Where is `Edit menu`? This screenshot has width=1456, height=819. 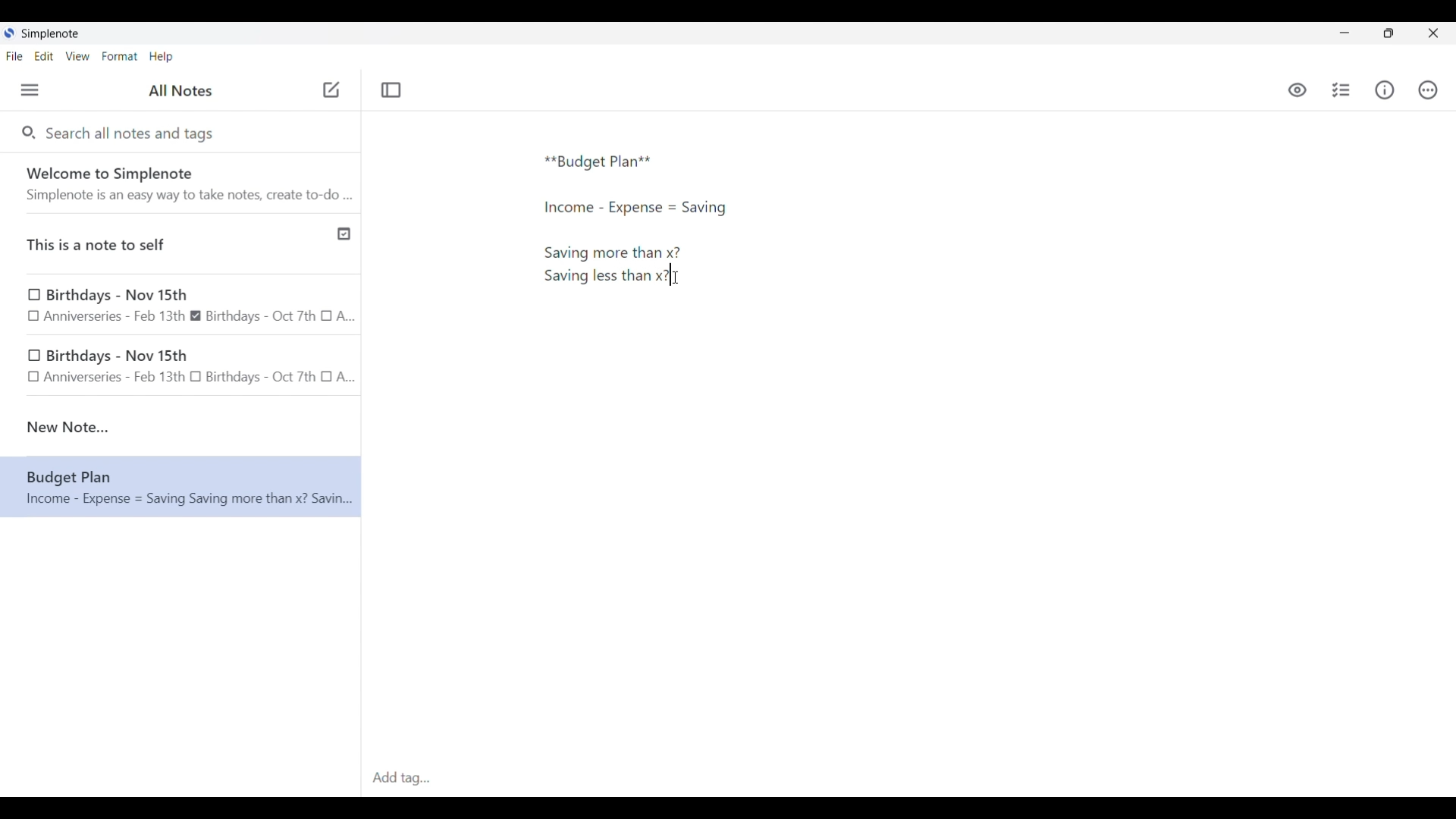
Edit menu is located at coordinates (45, 55).